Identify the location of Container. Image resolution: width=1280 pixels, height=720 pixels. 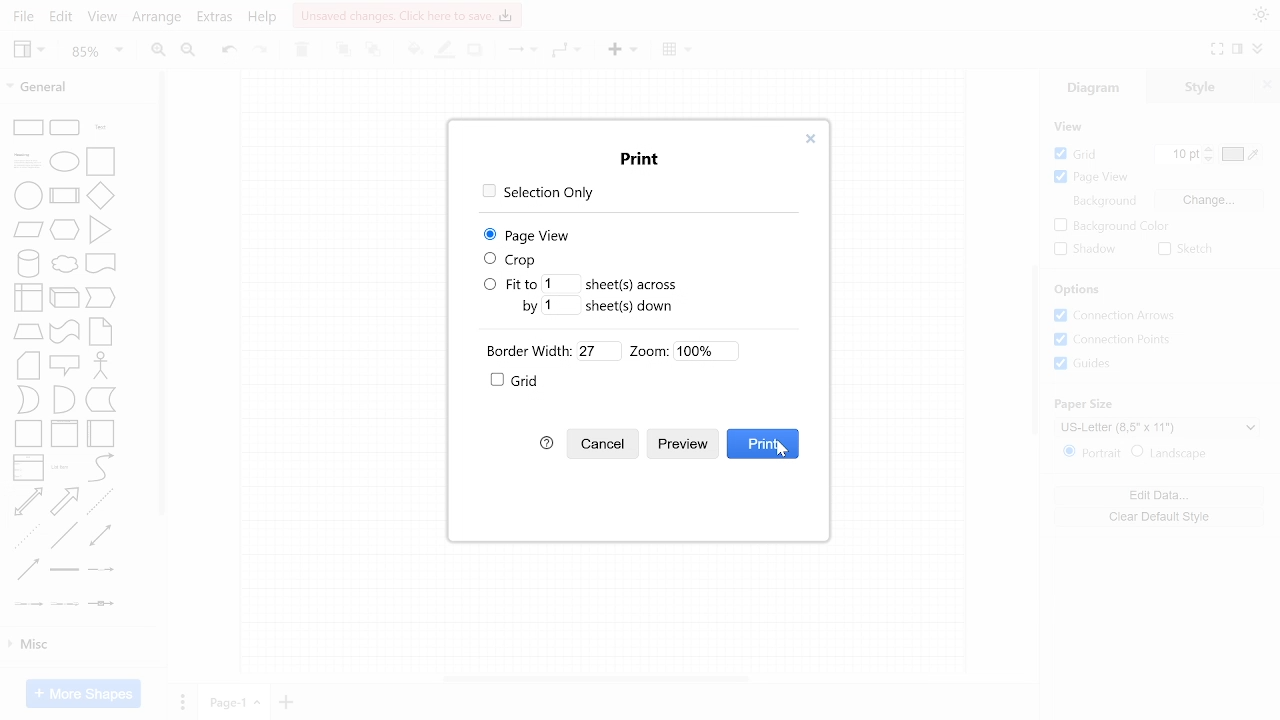
(28, 434).